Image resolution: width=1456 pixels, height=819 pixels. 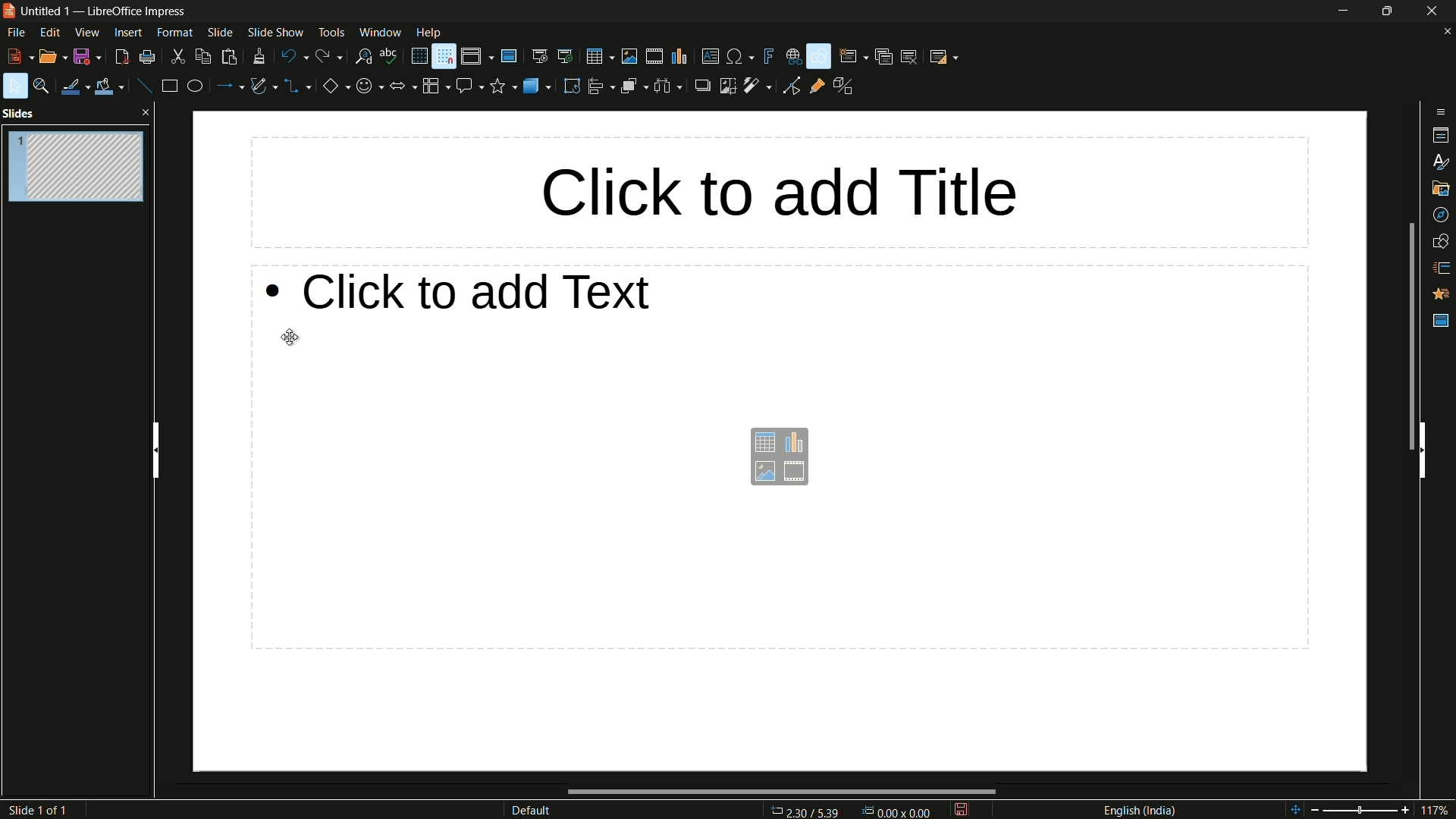 What do you see at coordinates (816, 87) in the screenshot?
I see `show gluepoint functions` at bounding box center [816, 87].